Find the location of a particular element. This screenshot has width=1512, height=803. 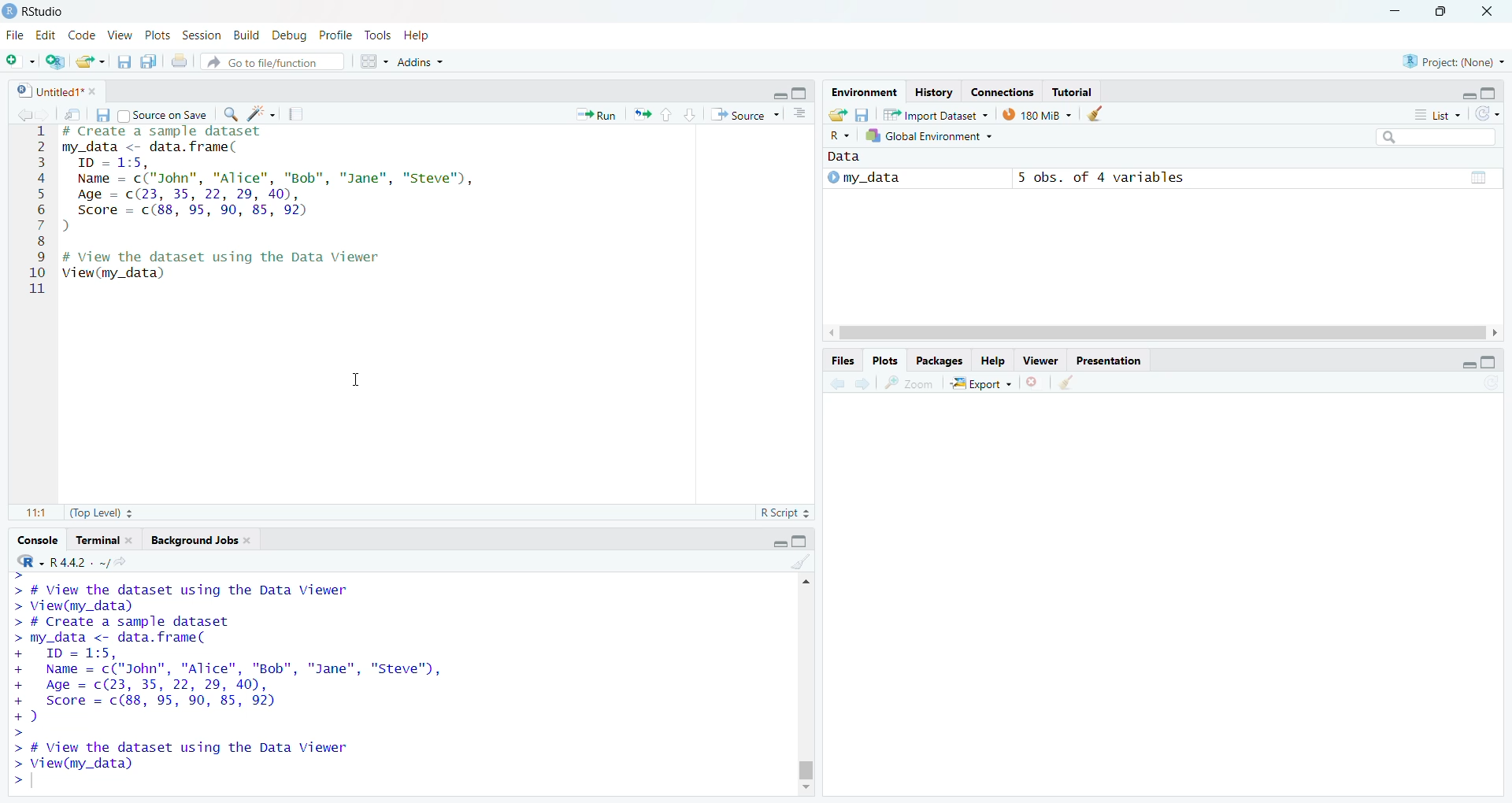

Save current document is located at coordinates (124, 65).